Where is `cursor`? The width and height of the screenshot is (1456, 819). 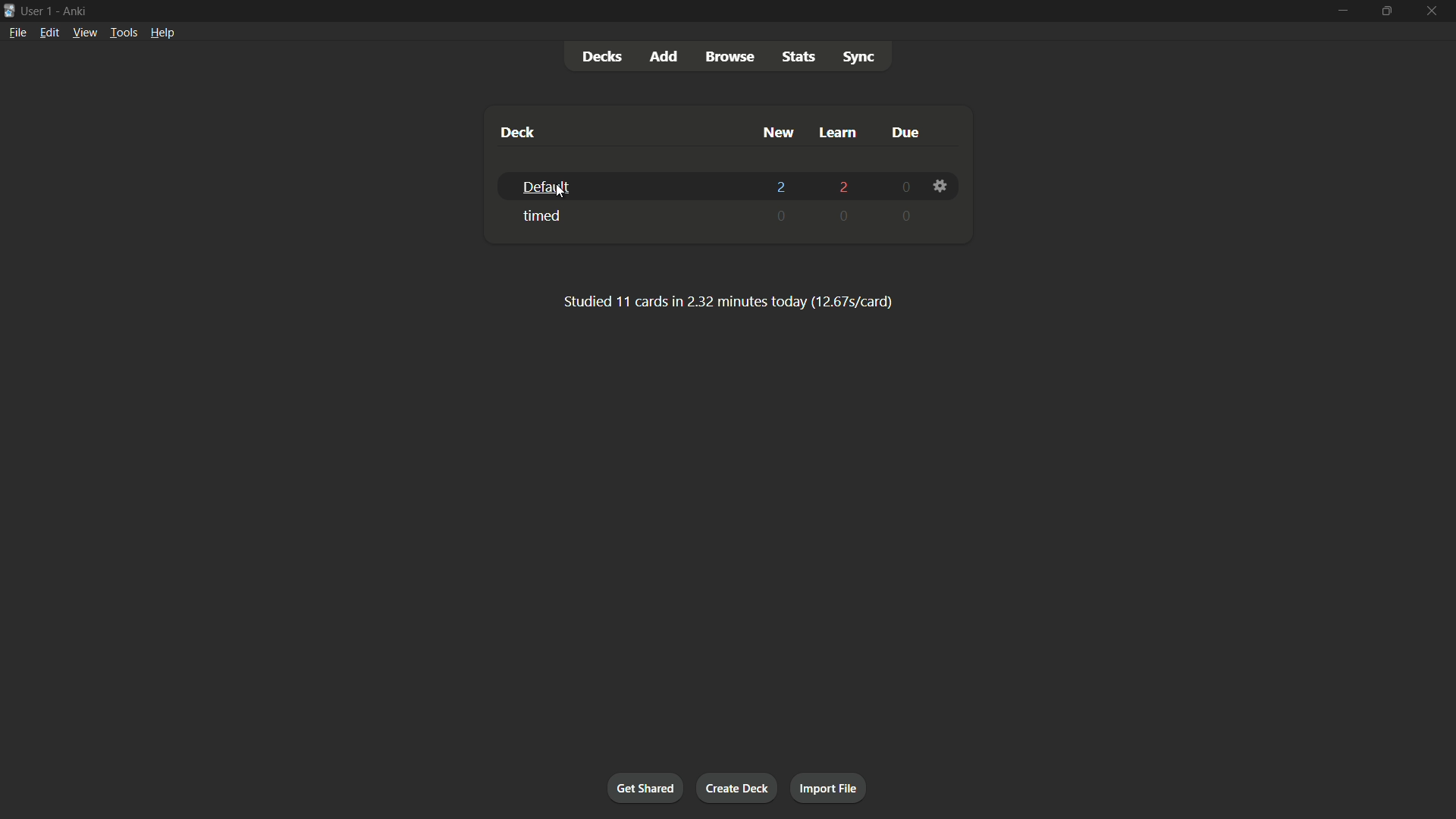
cursor is located at coordinates (565, 197).